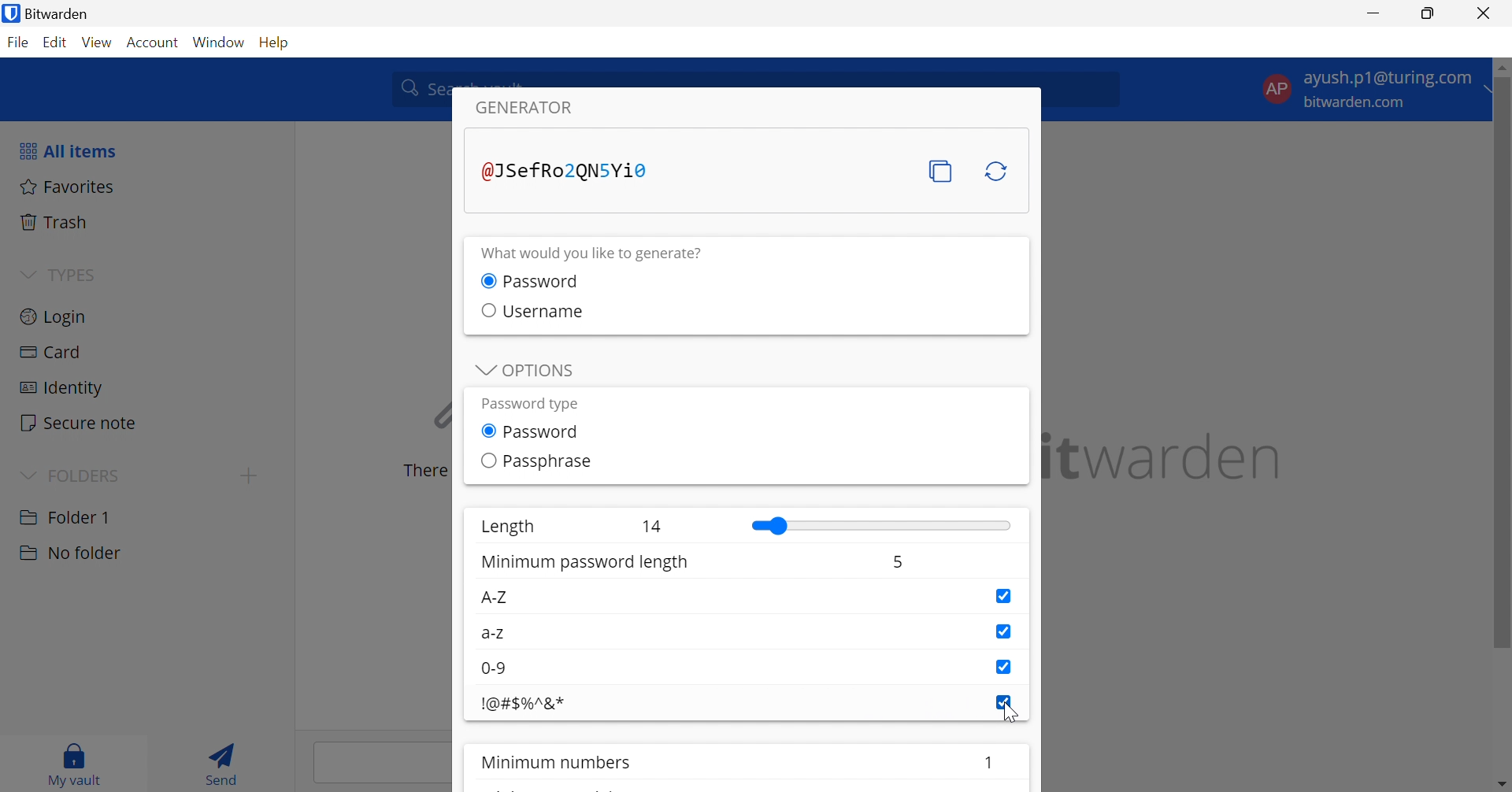 The image size is (1512, 792). What do you see at coordinates (70, 555) in the screenshot?
I see `No folder` at bounding box center [70, 555].